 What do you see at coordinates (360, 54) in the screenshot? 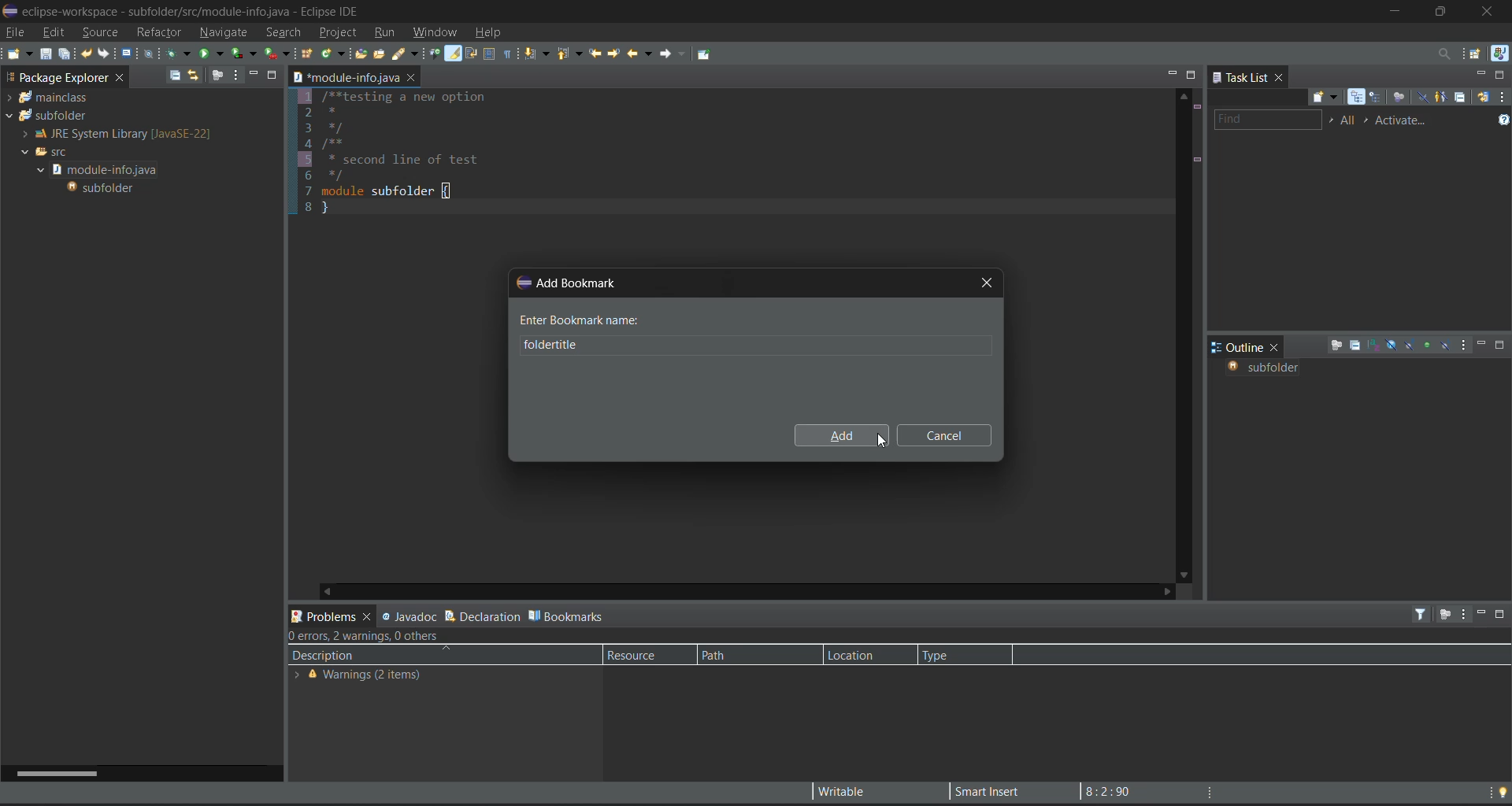
I see `open type` at bounding box center [360, 54].